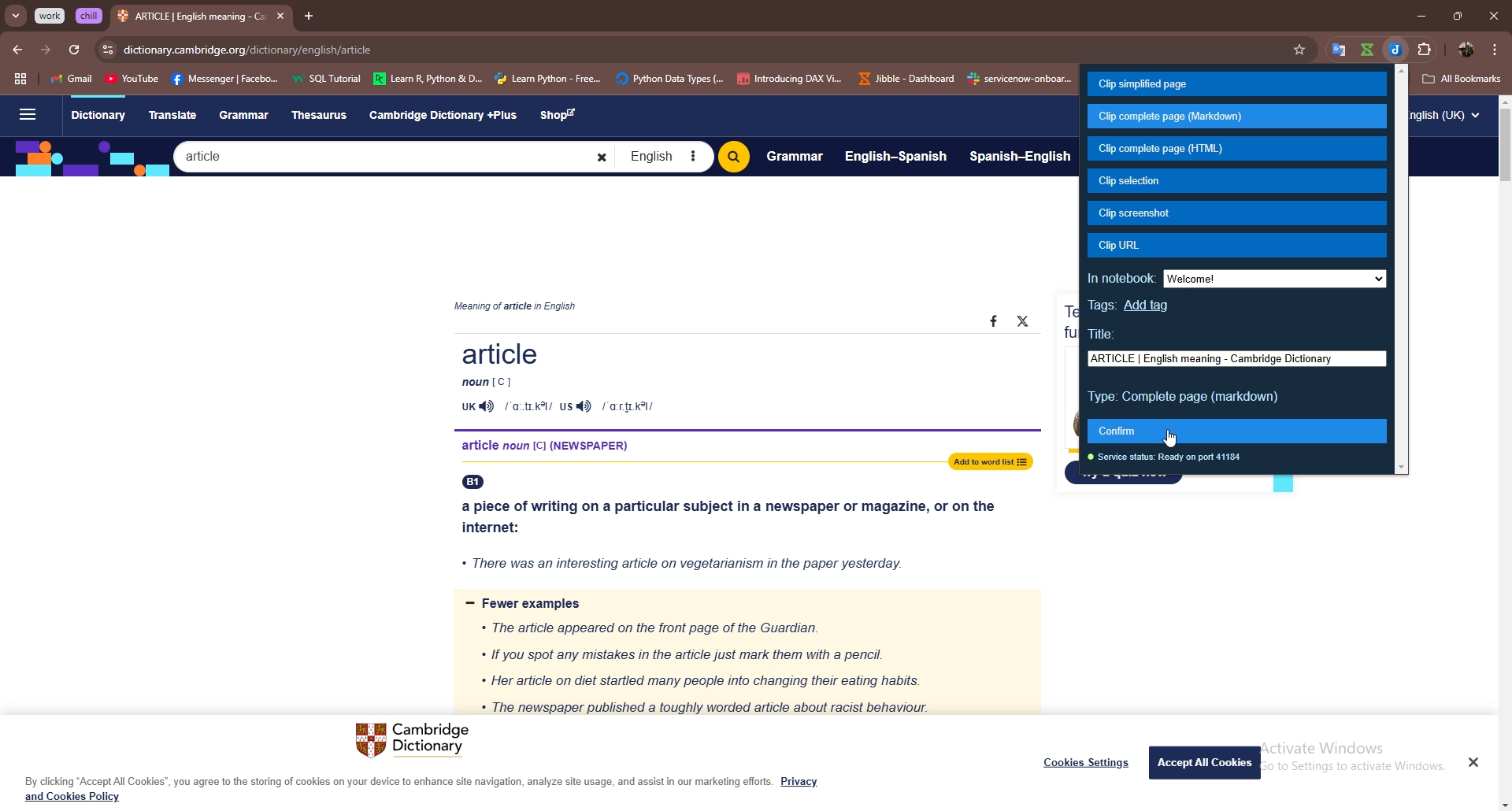  Describe the element at coordinates (20, 80) in the screenshot. I see `tab groups` at that location.